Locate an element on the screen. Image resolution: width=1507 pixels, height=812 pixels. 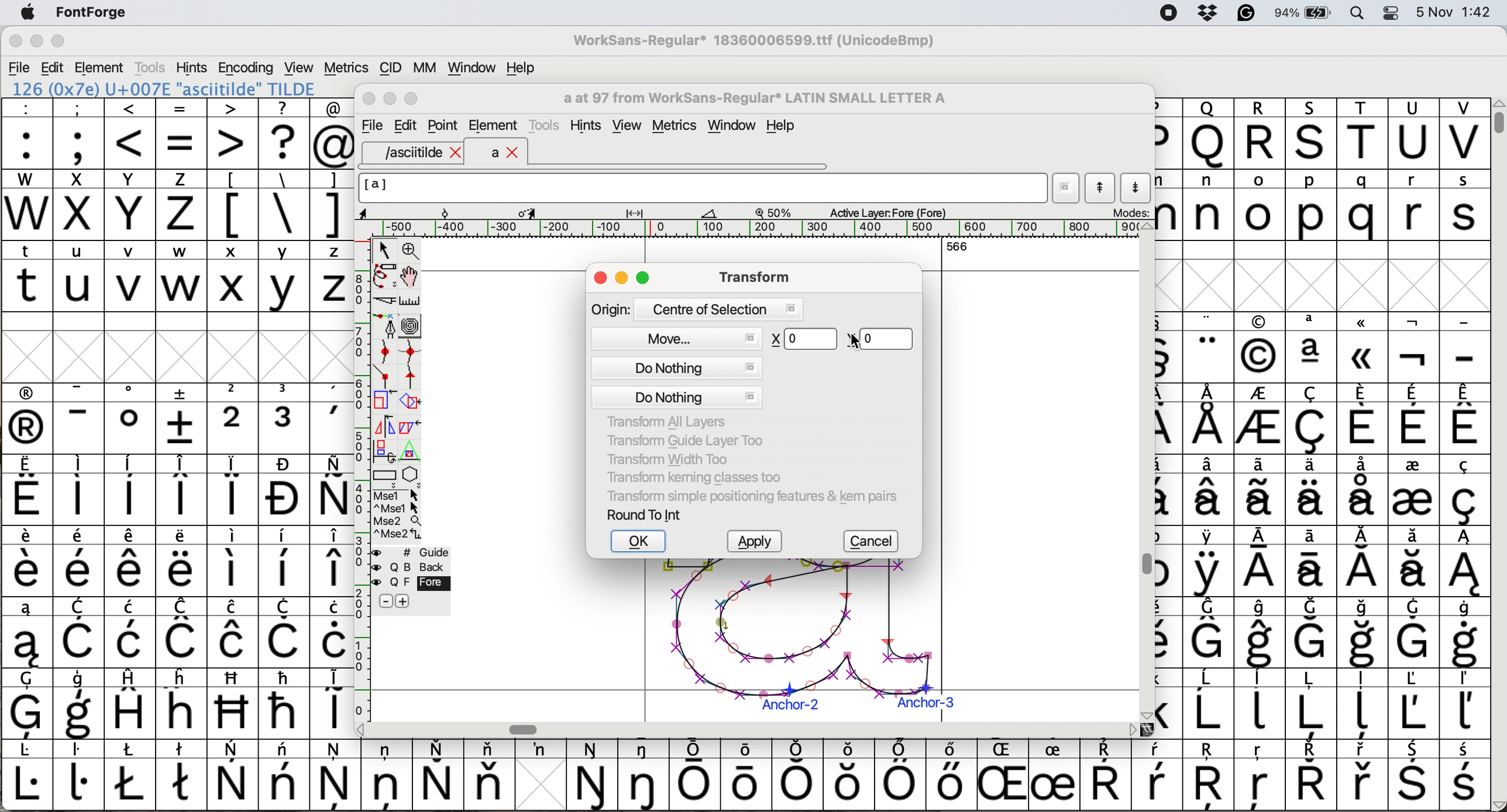
cid is located at coordinates (389, 68).